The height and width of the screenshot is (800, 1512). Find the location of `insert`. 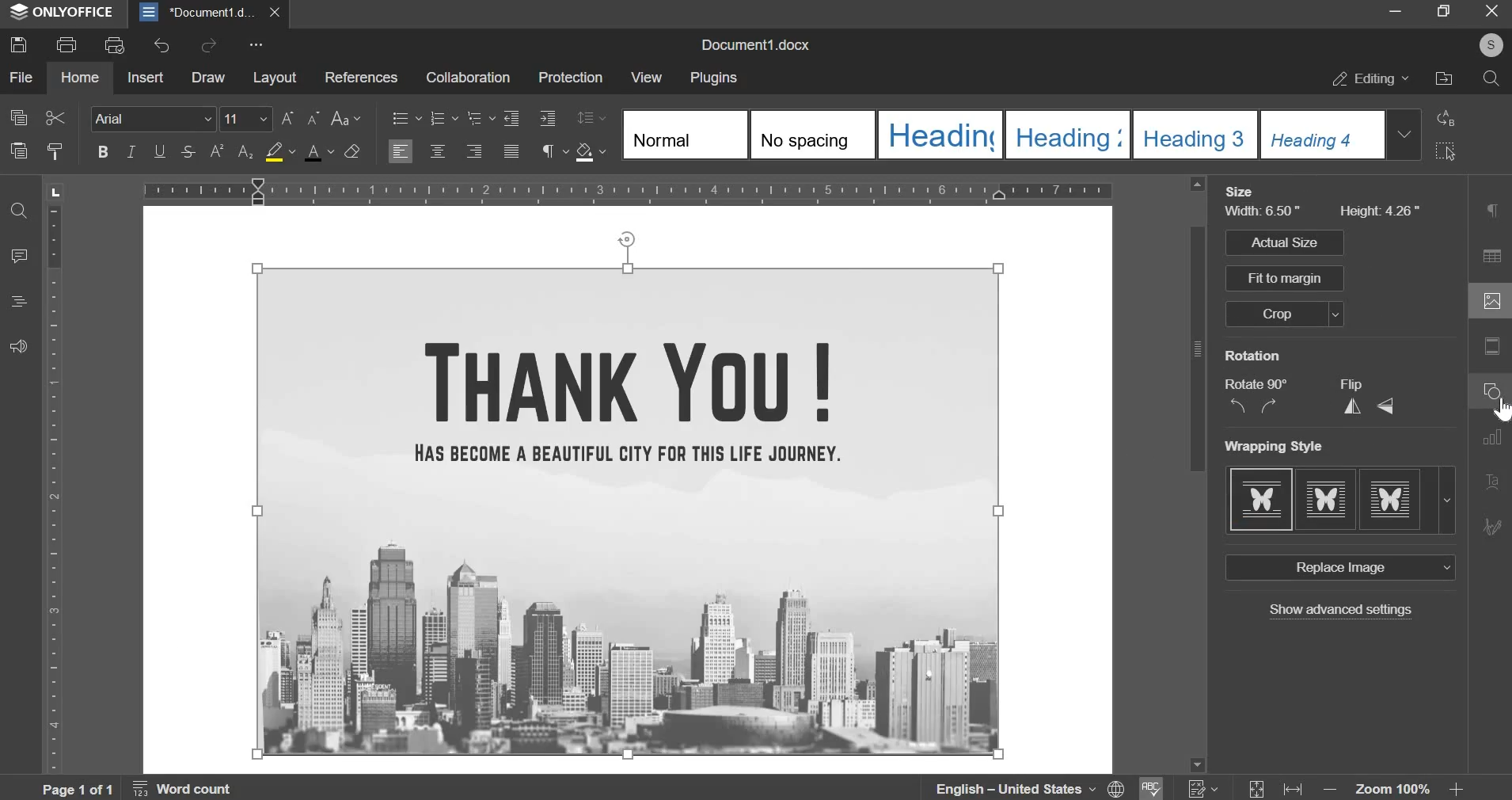

insert is located at coordinates (146, 77).